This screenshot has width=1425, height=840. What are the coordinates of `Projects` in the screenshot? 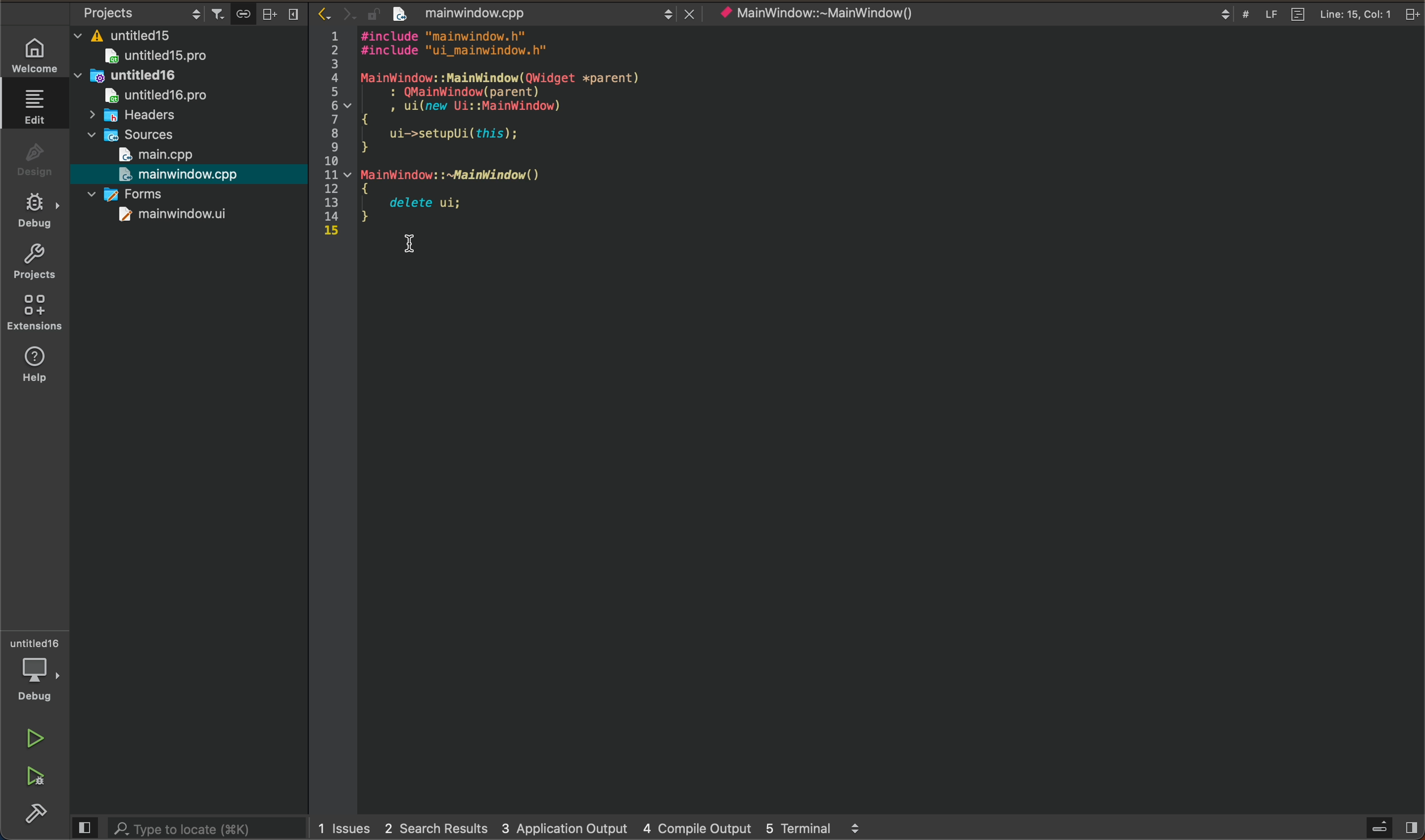 It's located at (131, 12).